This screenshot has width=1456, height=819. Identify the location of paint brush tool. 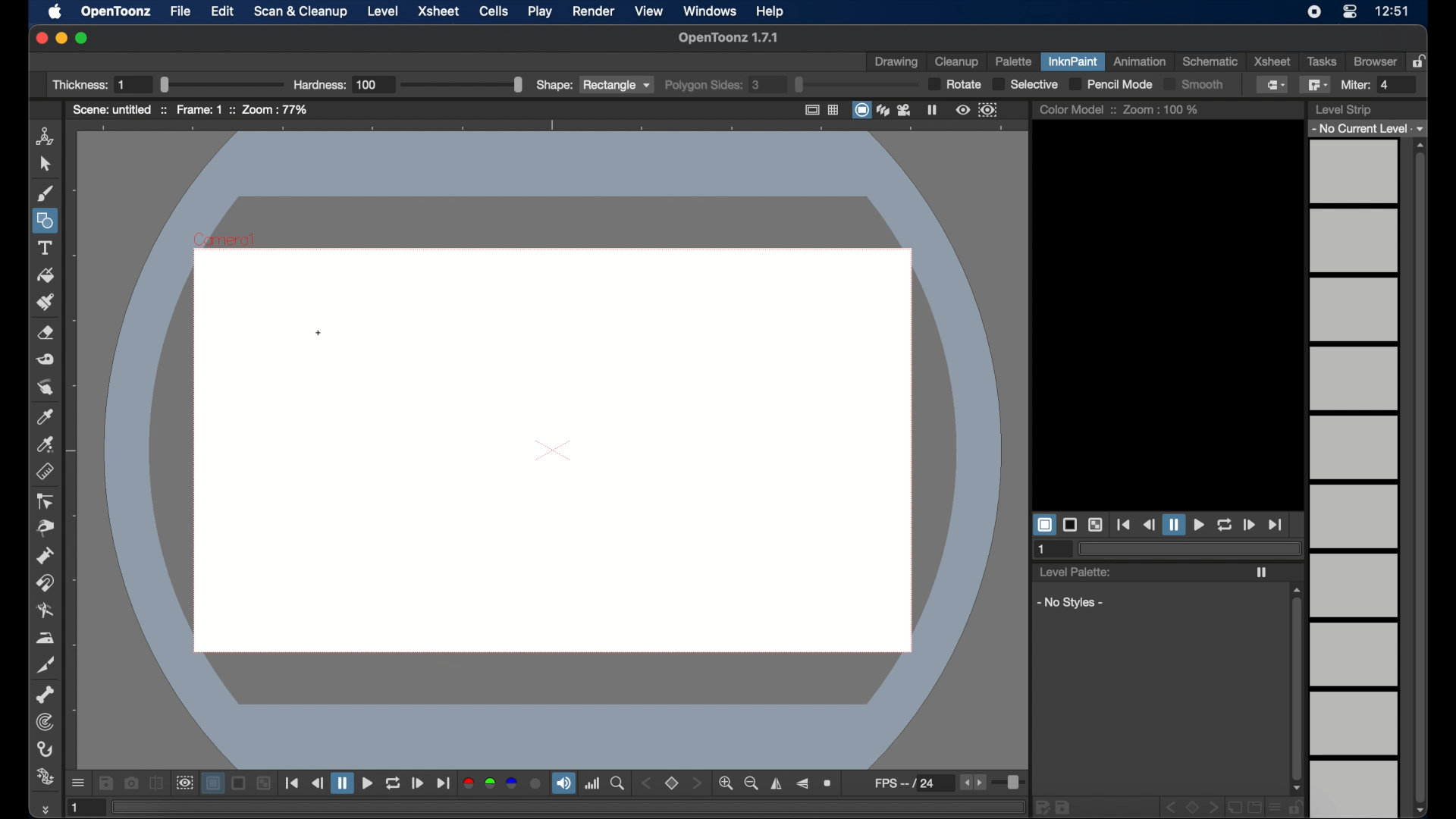
(46, 302).